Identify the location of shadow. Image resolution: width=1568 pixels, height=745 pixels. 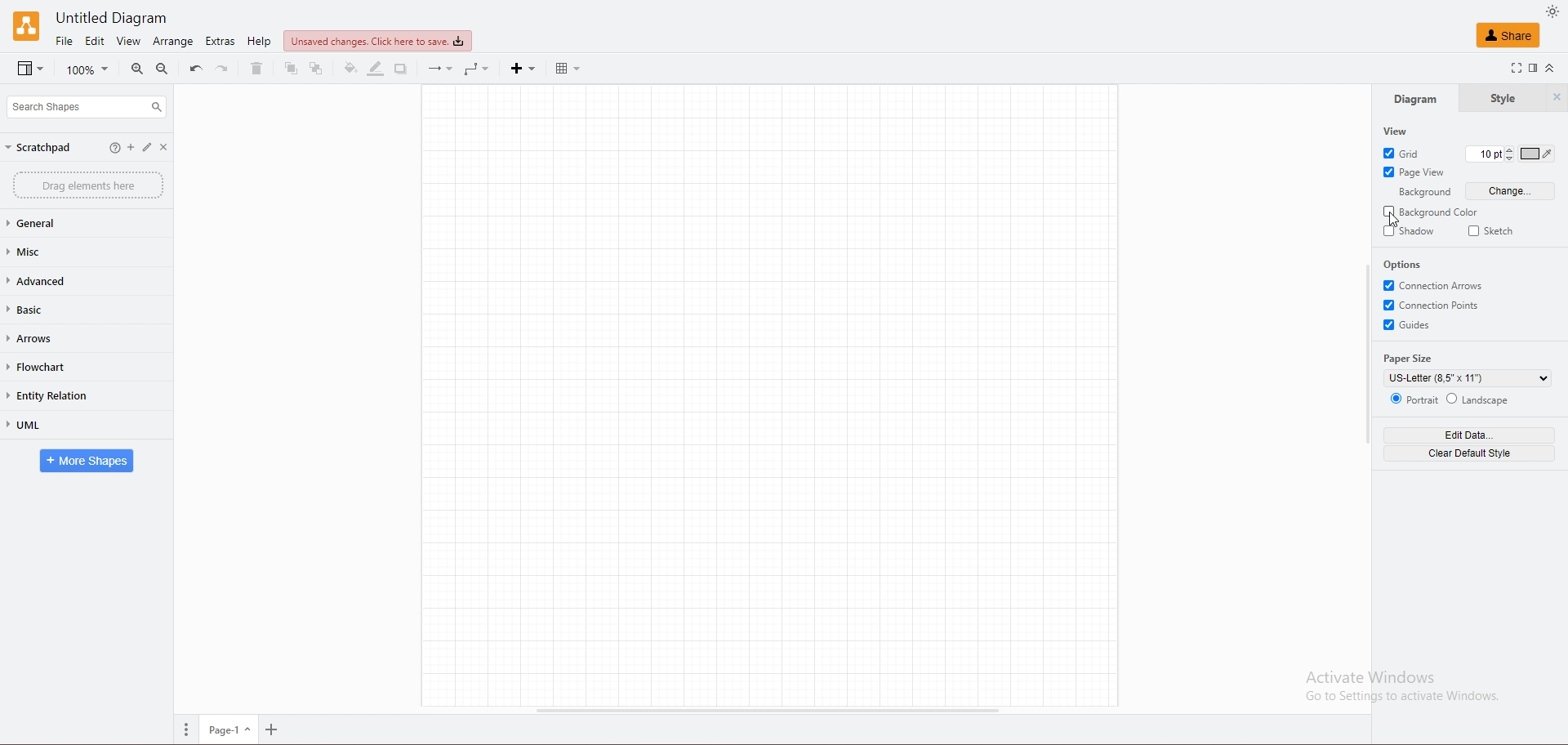
(403, 69).